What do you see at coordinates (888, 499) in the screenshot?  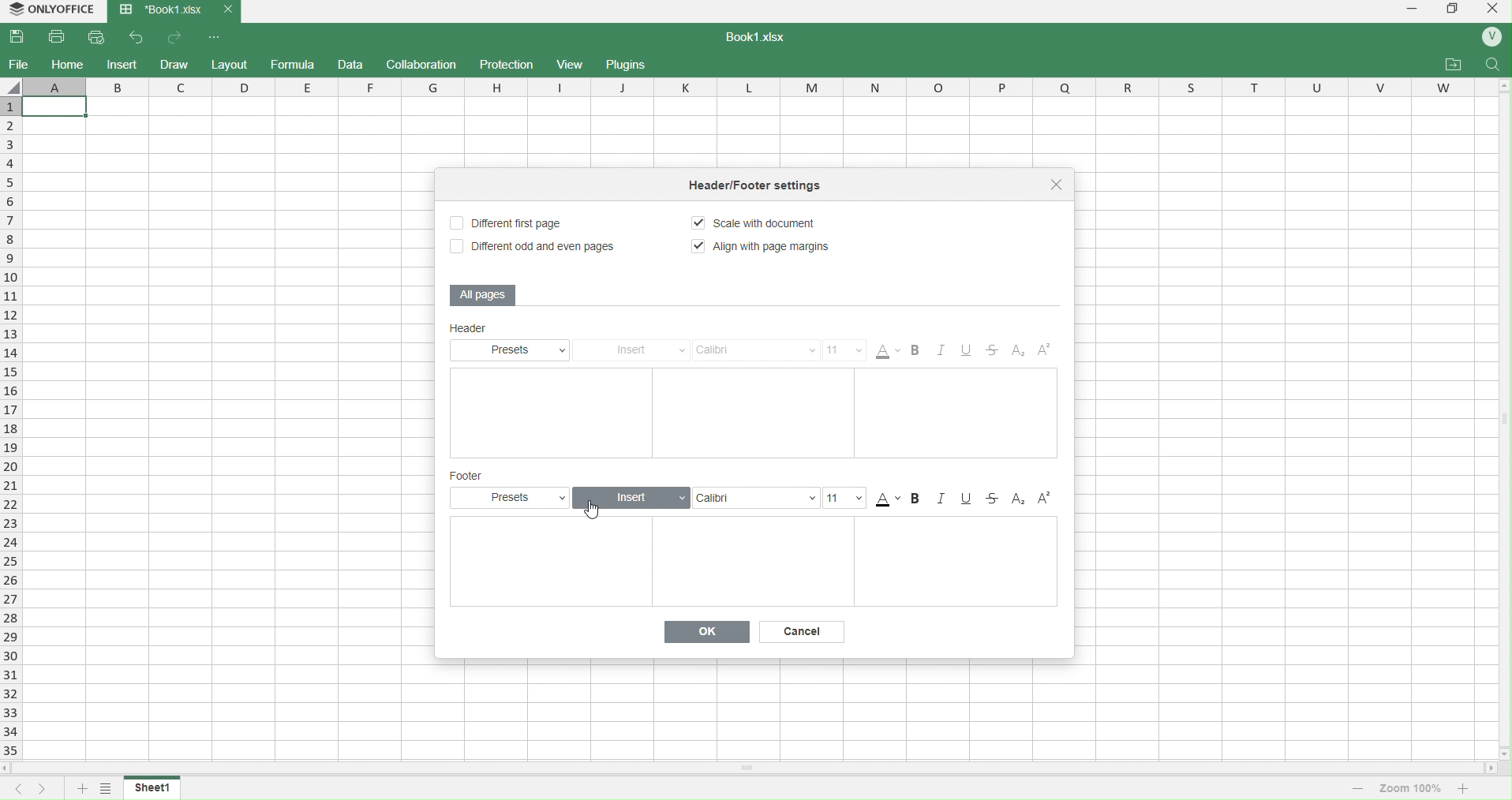 I see `Color` at bounding box center [888, 499].